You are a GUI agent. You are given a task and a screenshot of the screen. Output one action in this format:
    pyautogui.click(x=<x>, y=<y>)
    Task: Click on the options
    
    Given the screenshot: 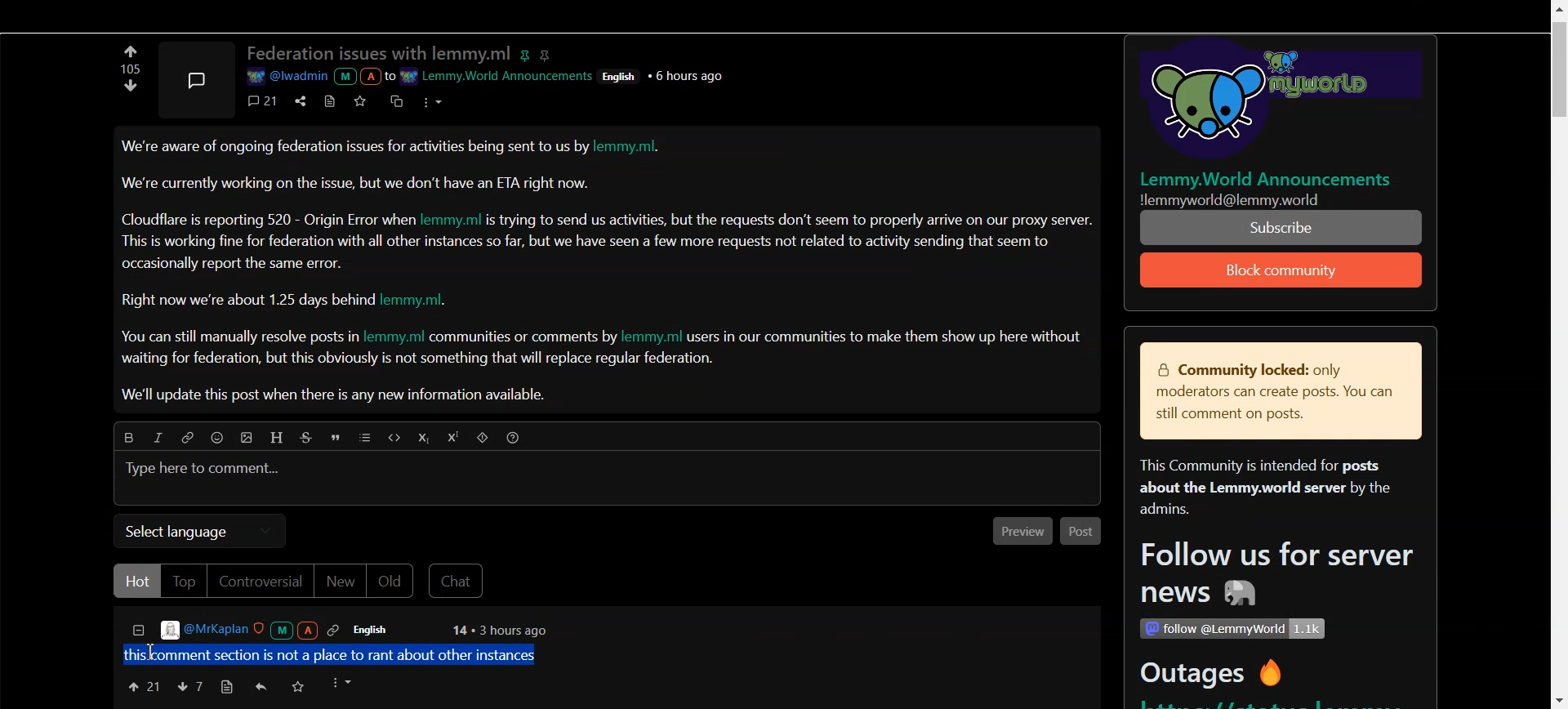 What is the action you would take?
    pyautogui.click(x=344, y=683)
    